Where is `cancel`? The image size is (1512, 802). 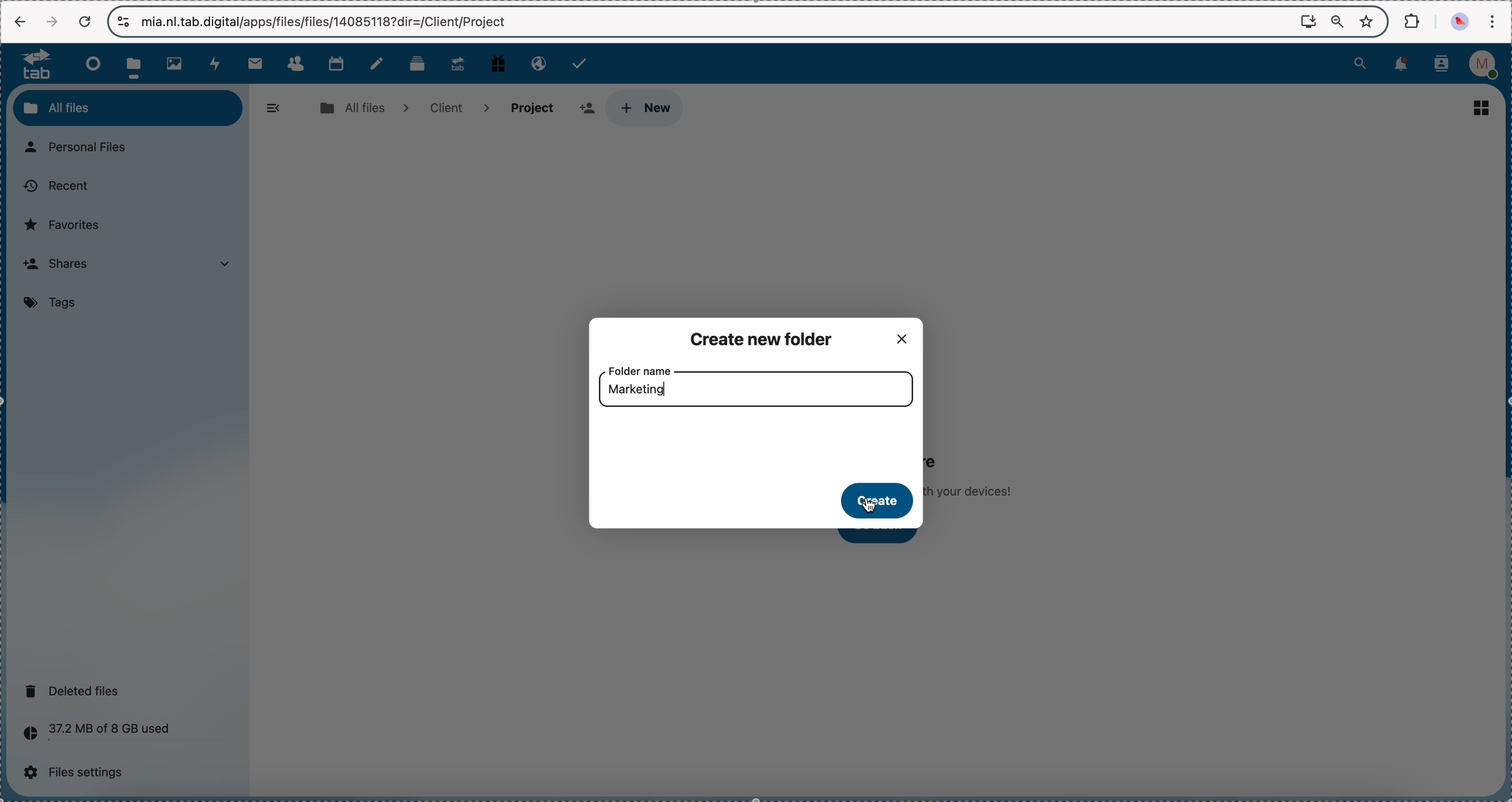
cancel is located at coordinates (84, 22).